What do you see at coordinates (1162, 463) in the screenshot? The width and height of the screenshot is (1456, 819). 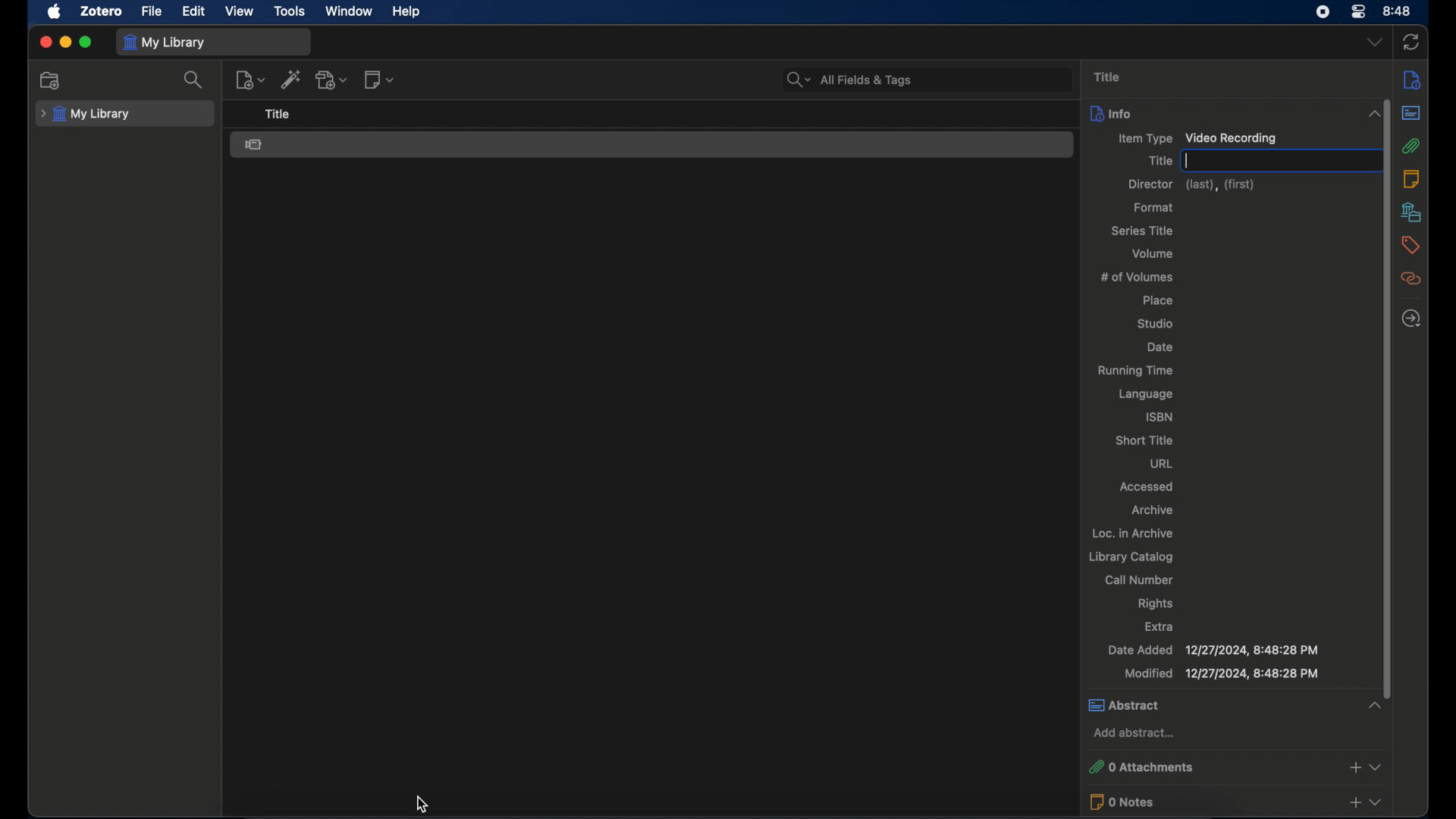 I see `rl` at bounding box center [1162, 463].